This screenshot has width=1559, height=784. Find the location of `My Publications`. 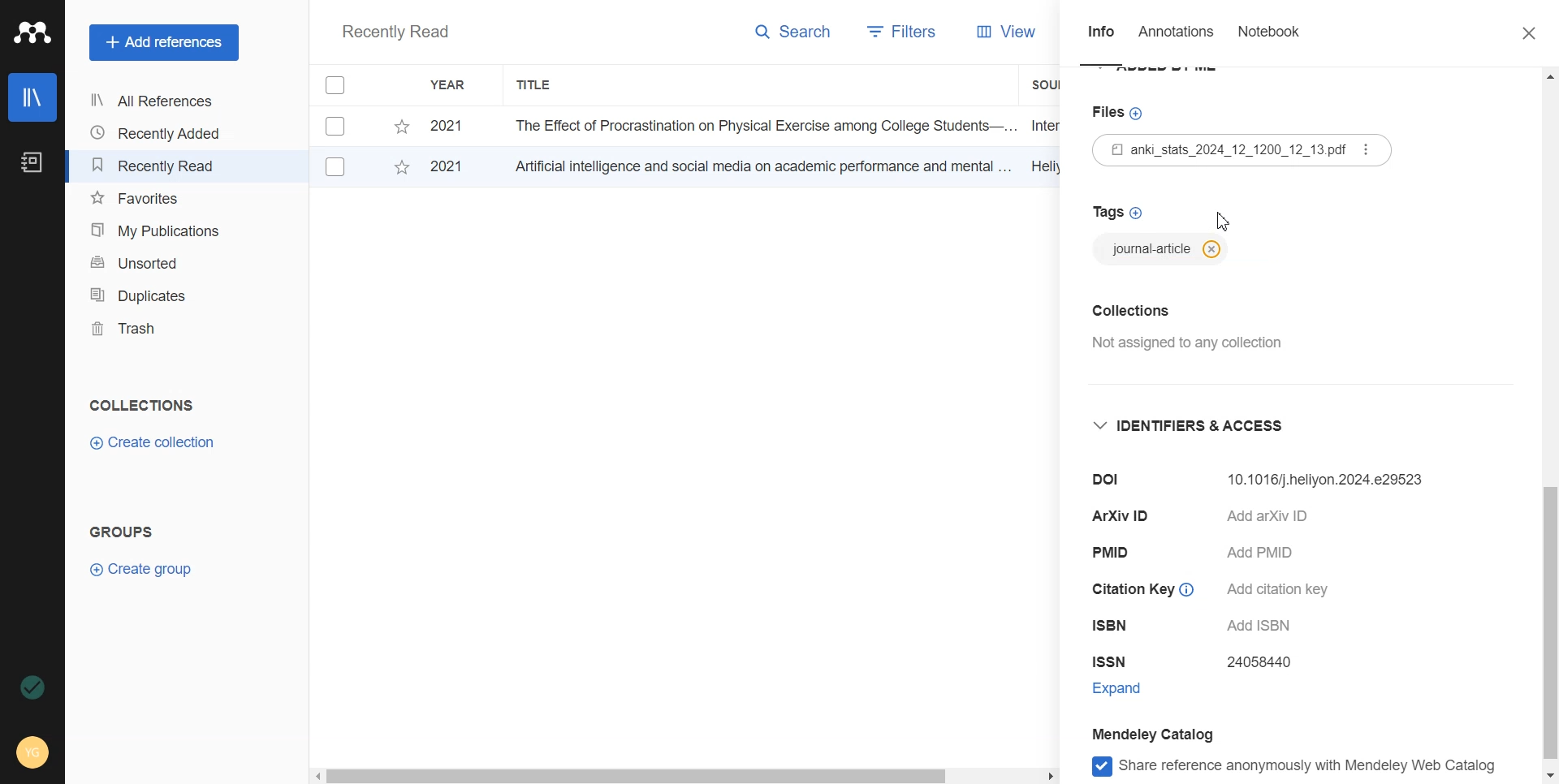

My Publications is located at coordinates (159, 230).